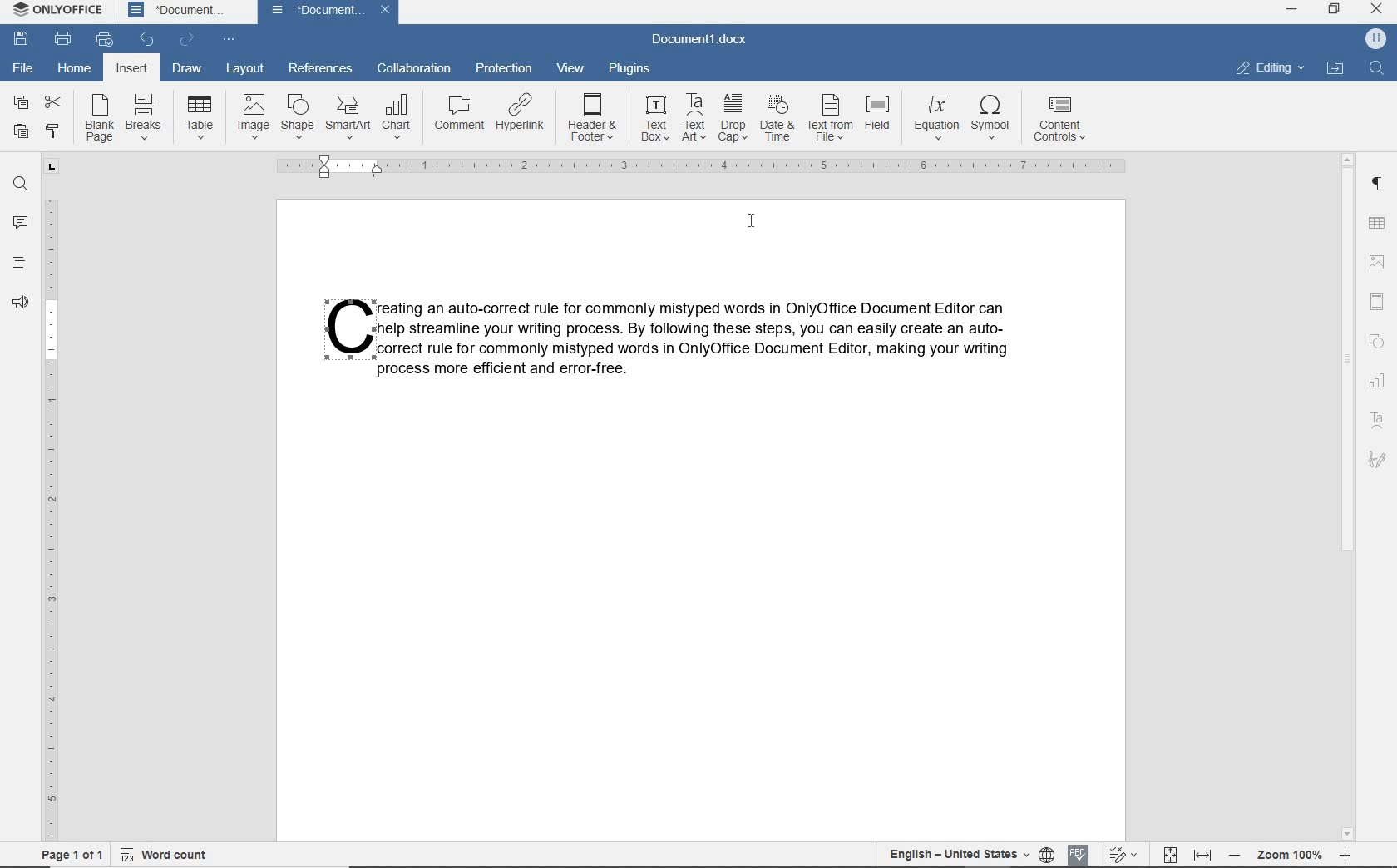 This screenshot has height=868, width=1397. I want to click on field, so click(881, 118).